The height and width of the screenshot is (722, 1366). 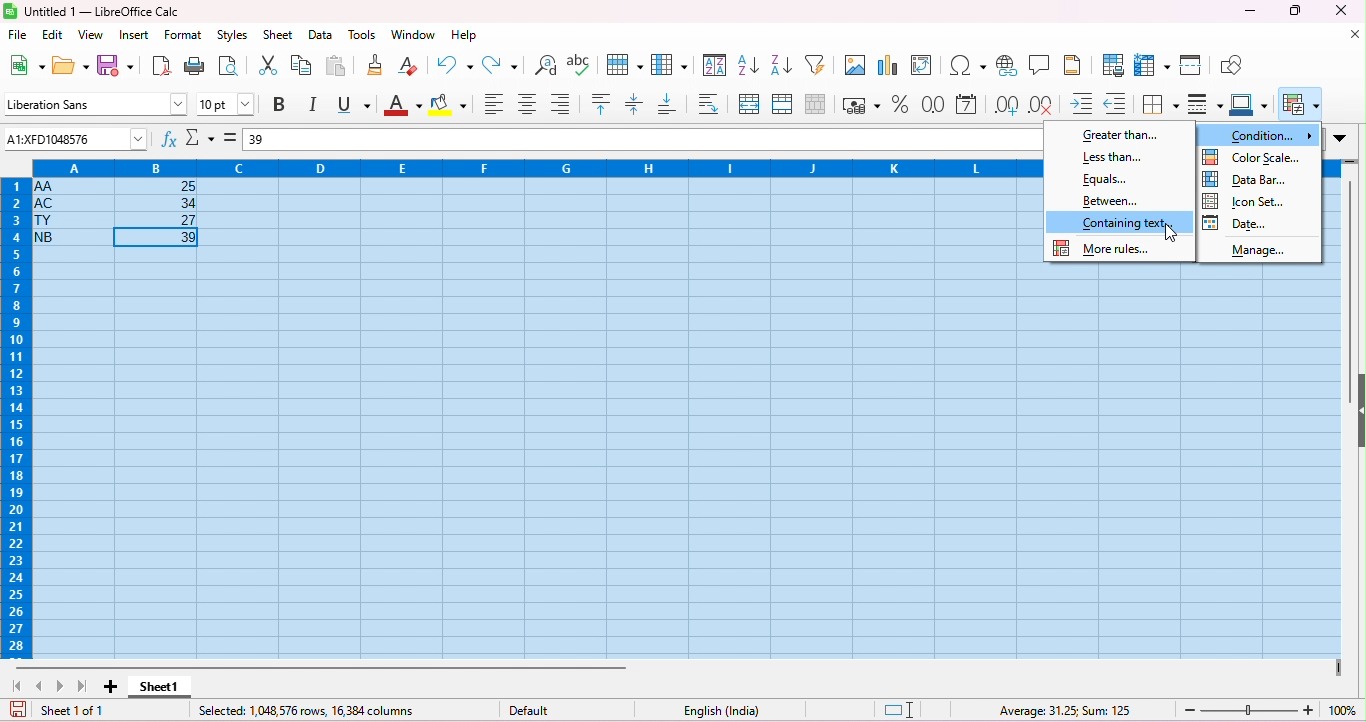 I want to click on column, so click(x=669, y=64).